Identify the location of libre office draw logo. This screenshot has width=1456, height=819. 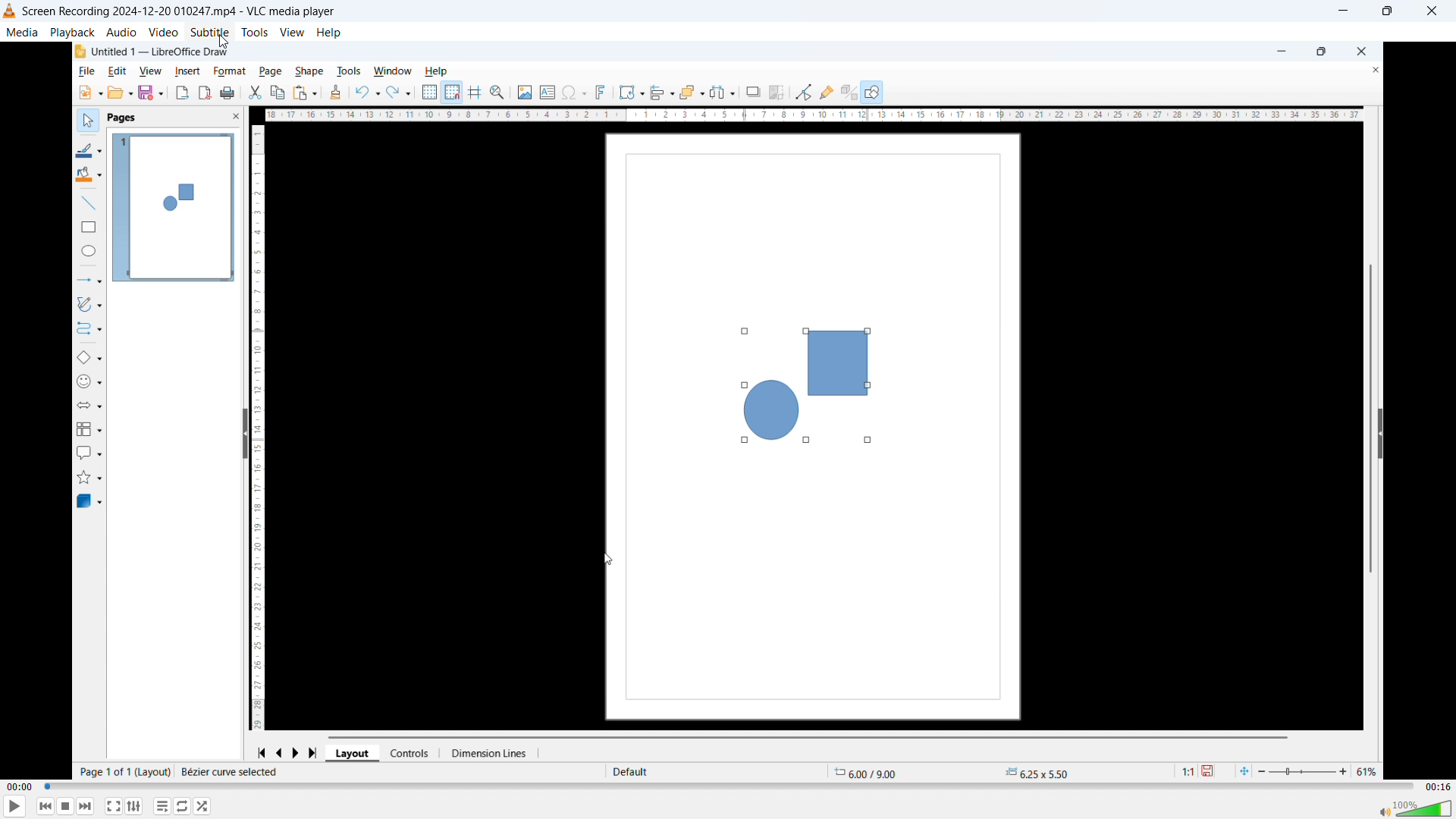
(79, 52).